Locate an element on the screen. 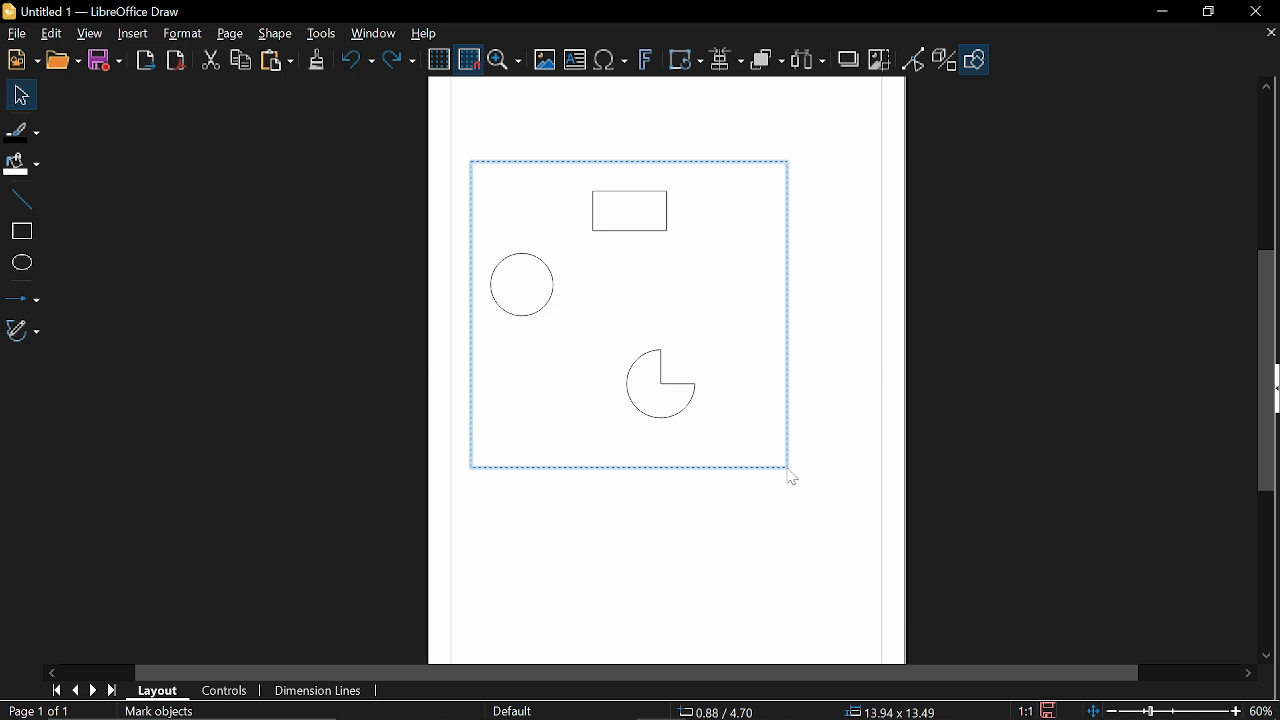 The image size is (1280, 720). Dimension lines is located at coordinates (319, 691).